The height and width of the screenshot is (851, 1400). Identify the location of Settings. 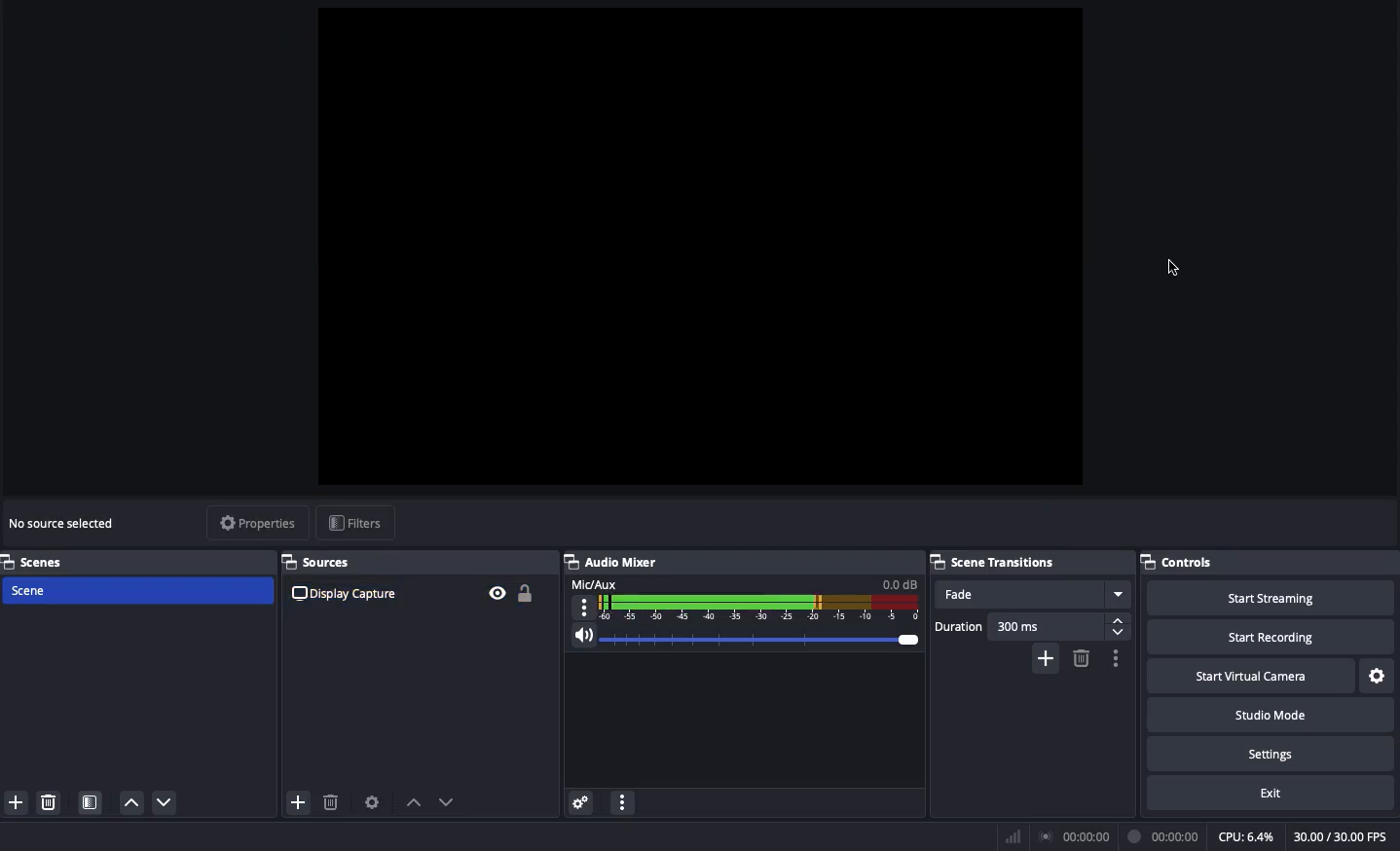
(1379, 677).